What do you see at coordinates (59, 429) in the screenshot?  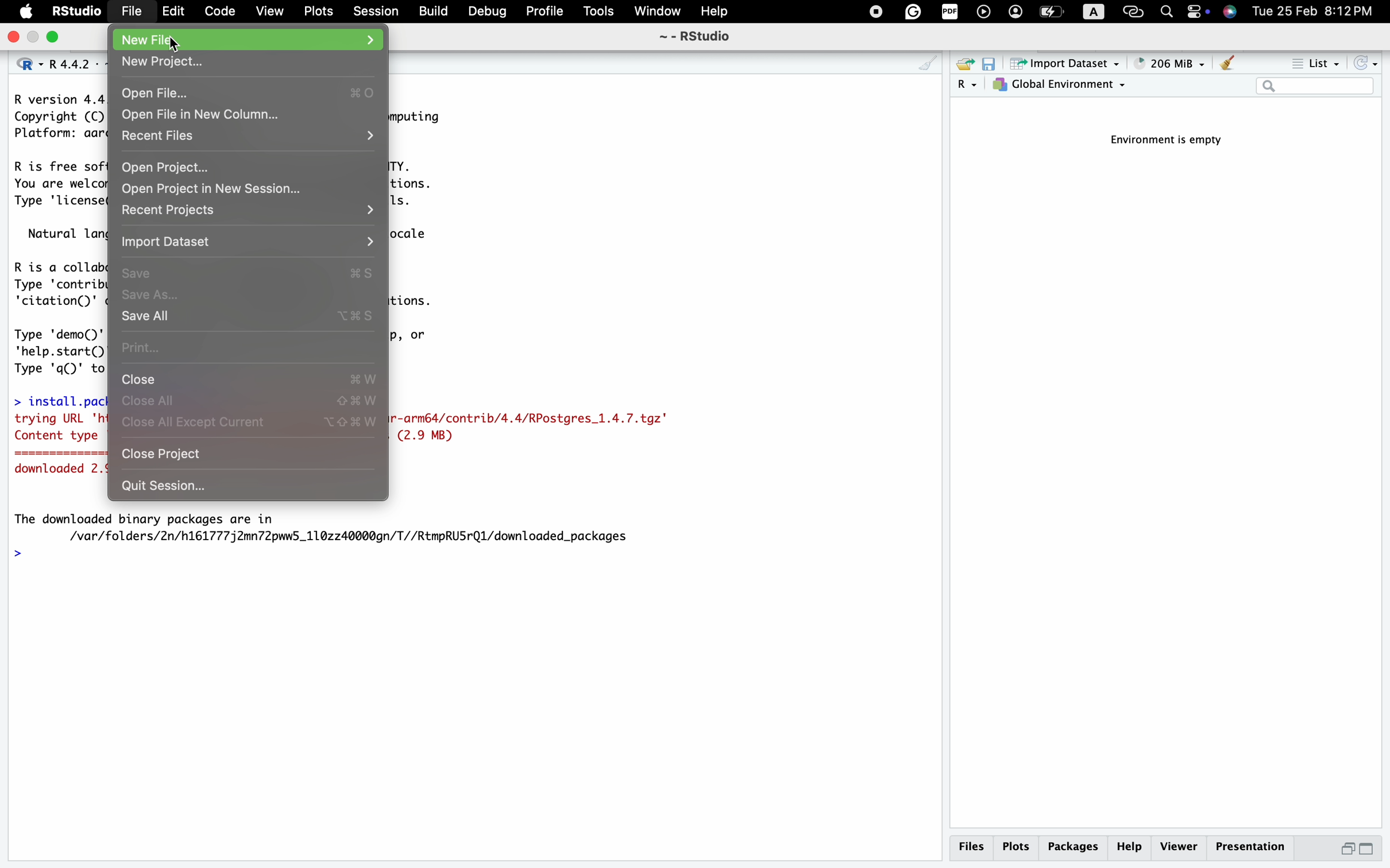 I see `trying URL "https://cran.rstudio.com/bin/macosx/big-sur-armé4/contrib/4.4/RPostgres_1.4.7.tgz"
Content type 'application/x-gzip' length 3001229 bytes (2.9 MB)` at bounding box center [59, 429].